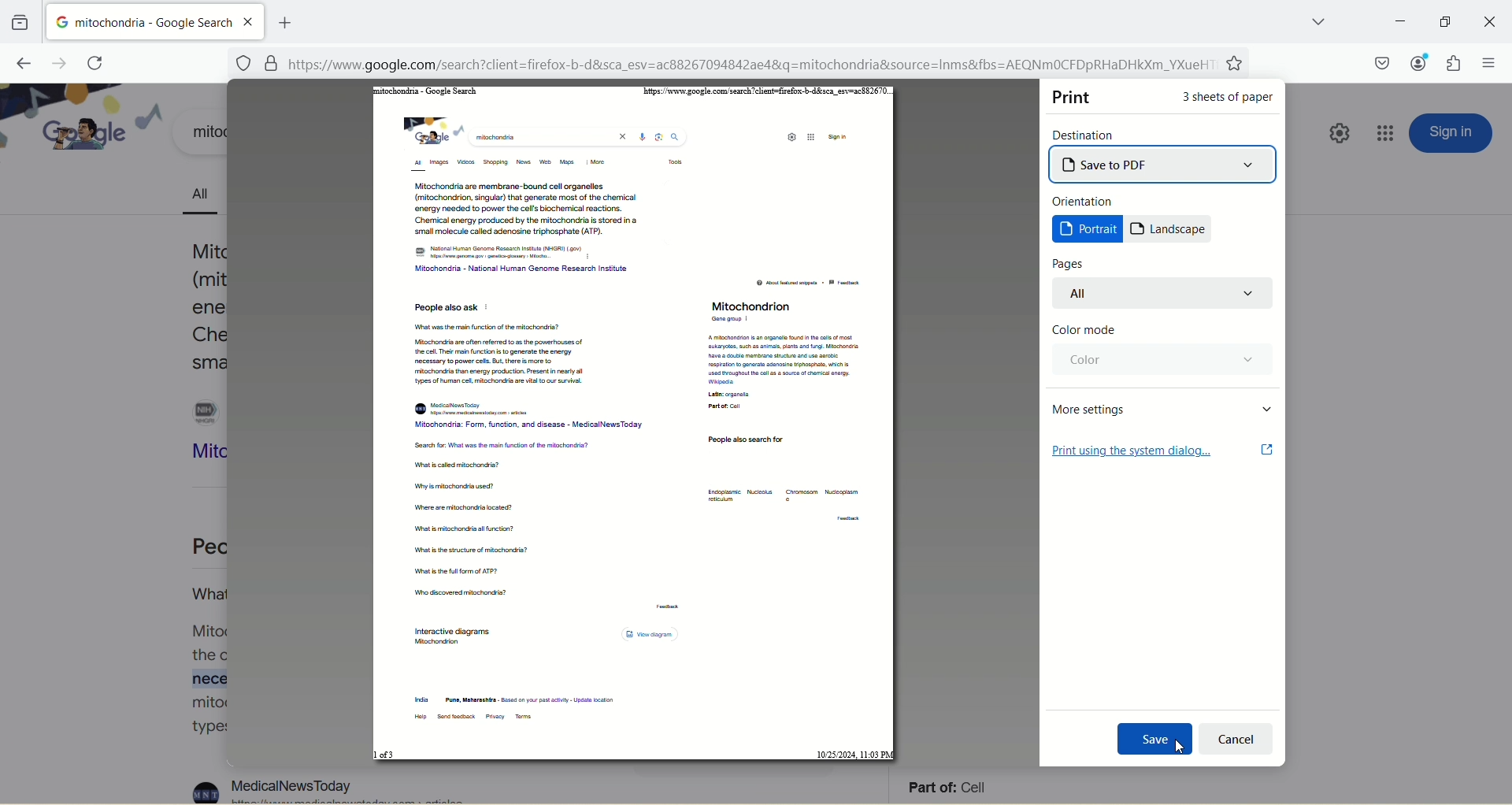 Image resolution: width=1512 pixels, height=805 pixels. I want to click on more settings, so click(1162, 408).